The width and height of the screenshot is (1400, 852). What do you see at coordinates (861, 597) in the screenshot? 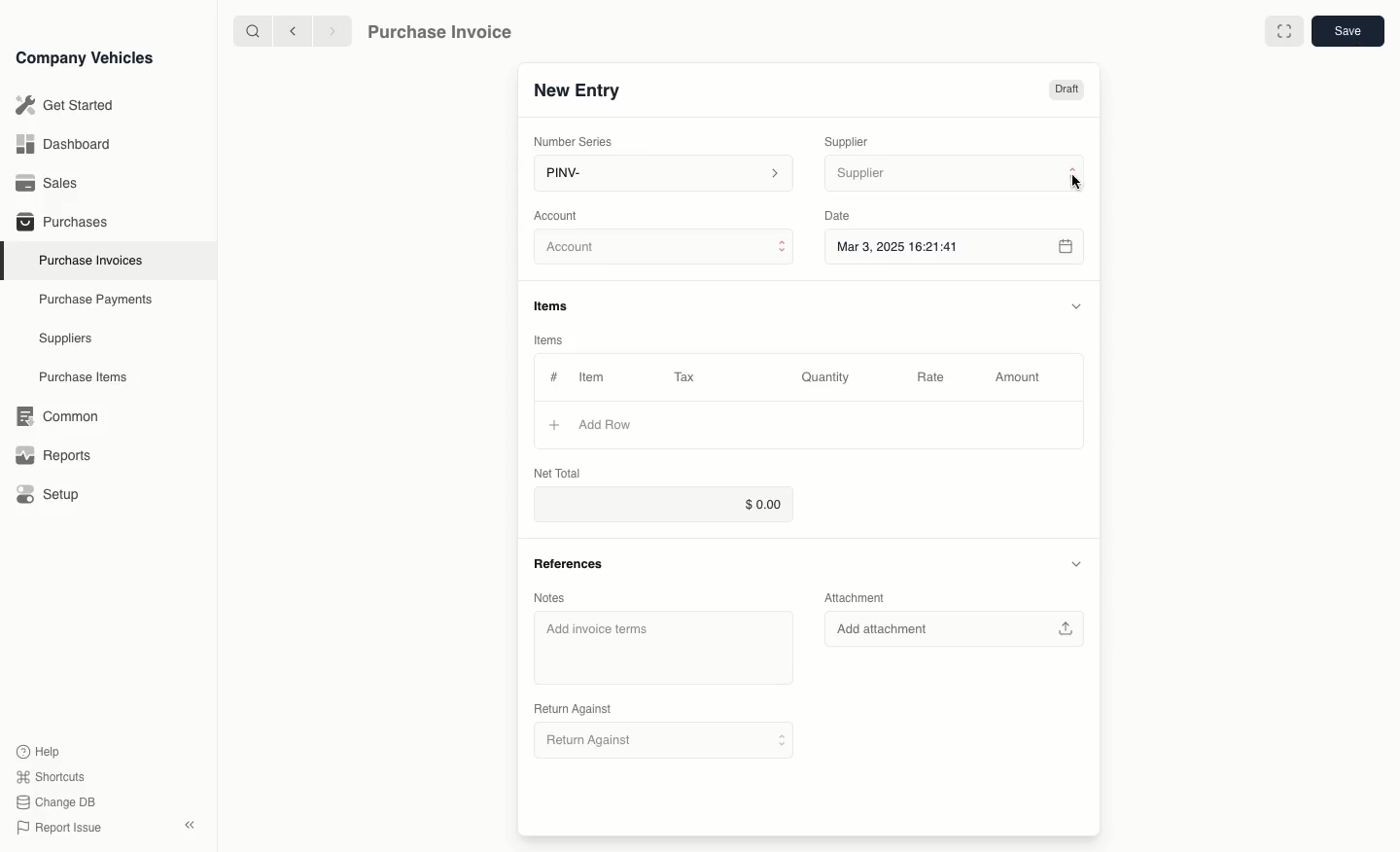
I see `Attachment` at bounding box center [861, 597].